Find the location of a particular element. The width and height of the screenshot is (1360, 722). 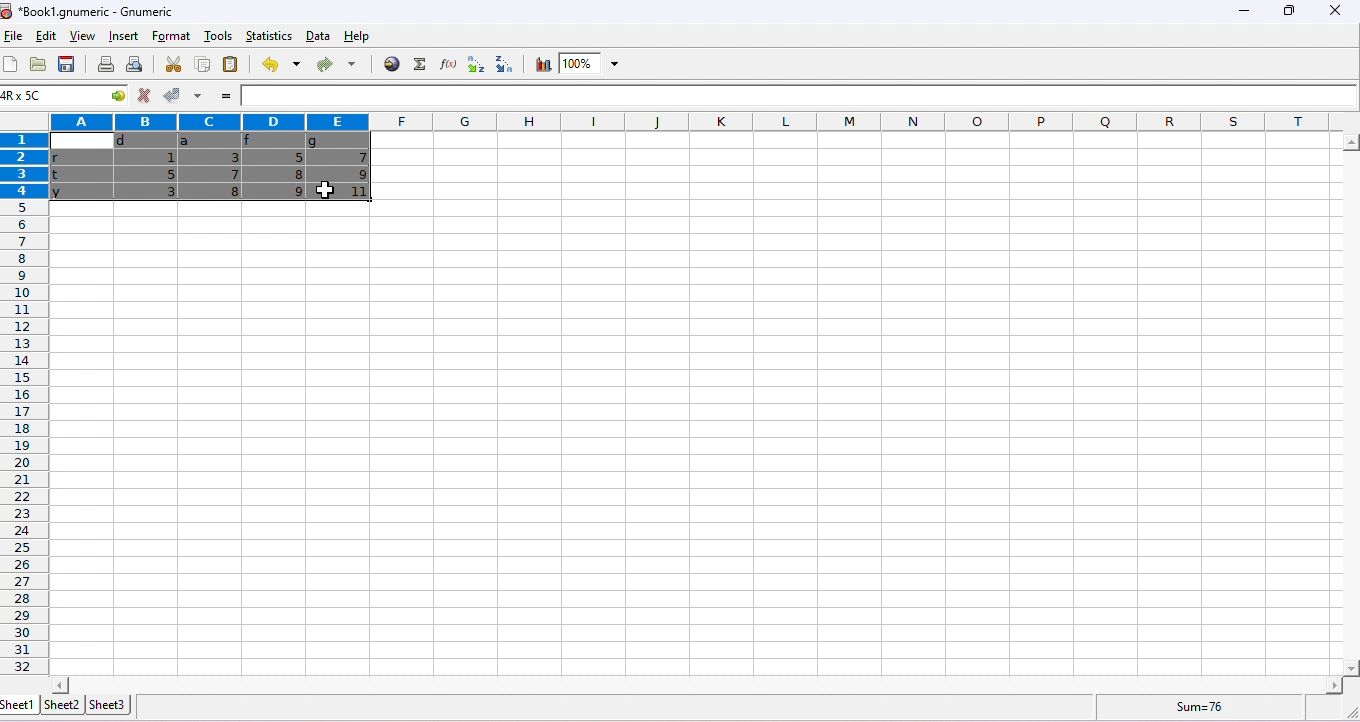

accept multiple changes is located at coordinates (196, 96).